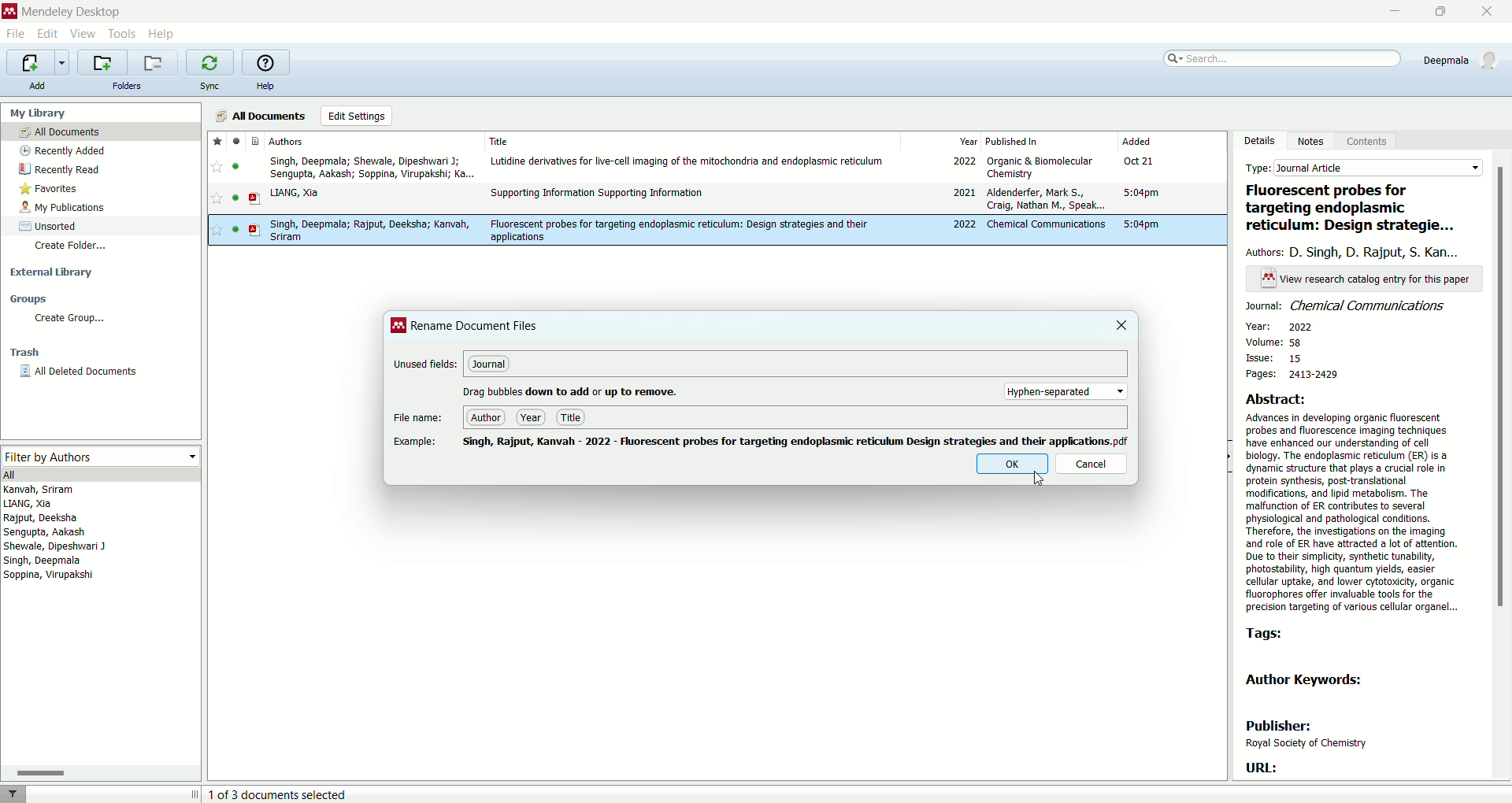  What do you see at coordinates (155, 63) in the screenshot?
I see `remove current folder` at bounding box center [155, 63].